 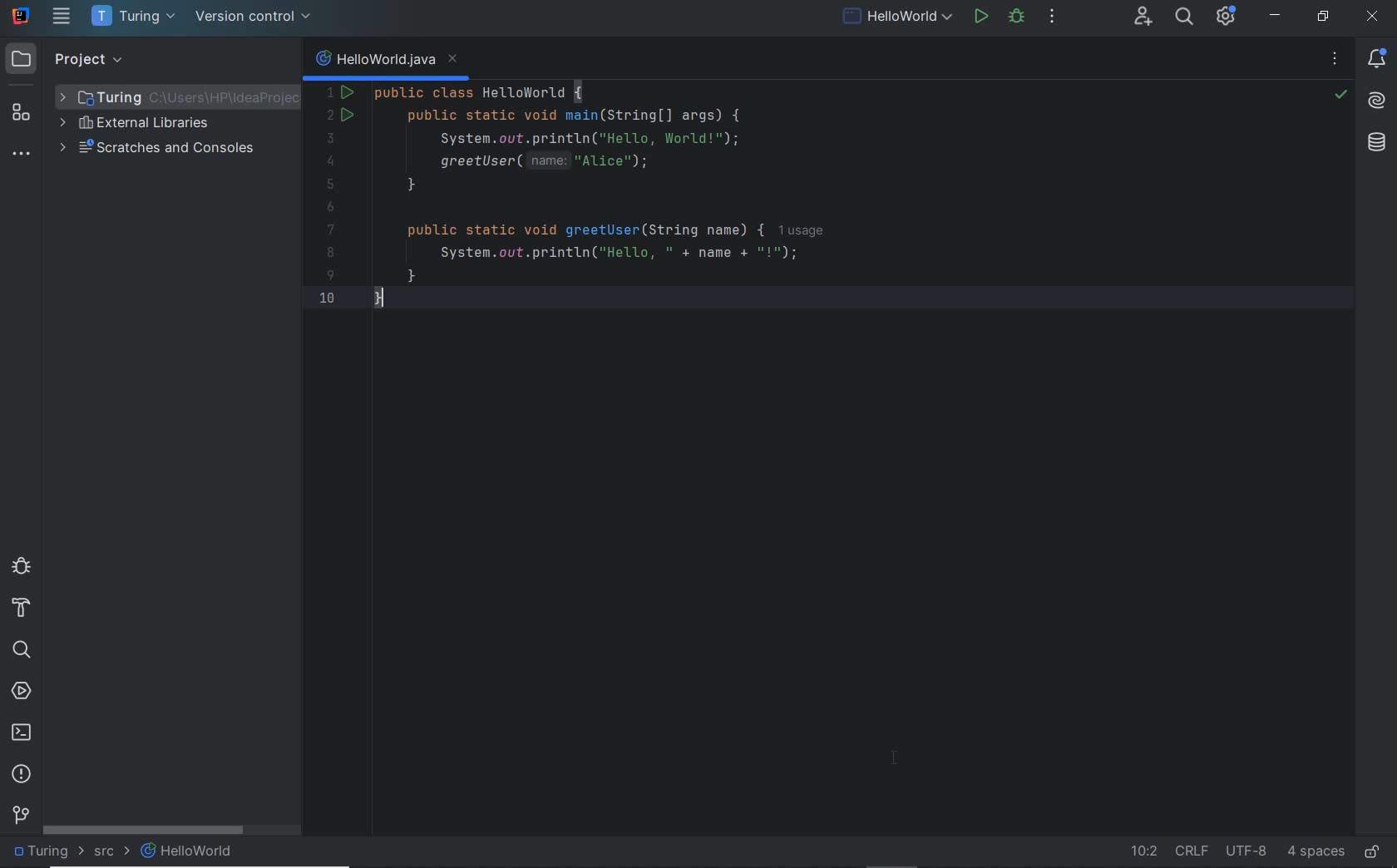 I want to click on CLOSE, so click(x=1373, y=17).